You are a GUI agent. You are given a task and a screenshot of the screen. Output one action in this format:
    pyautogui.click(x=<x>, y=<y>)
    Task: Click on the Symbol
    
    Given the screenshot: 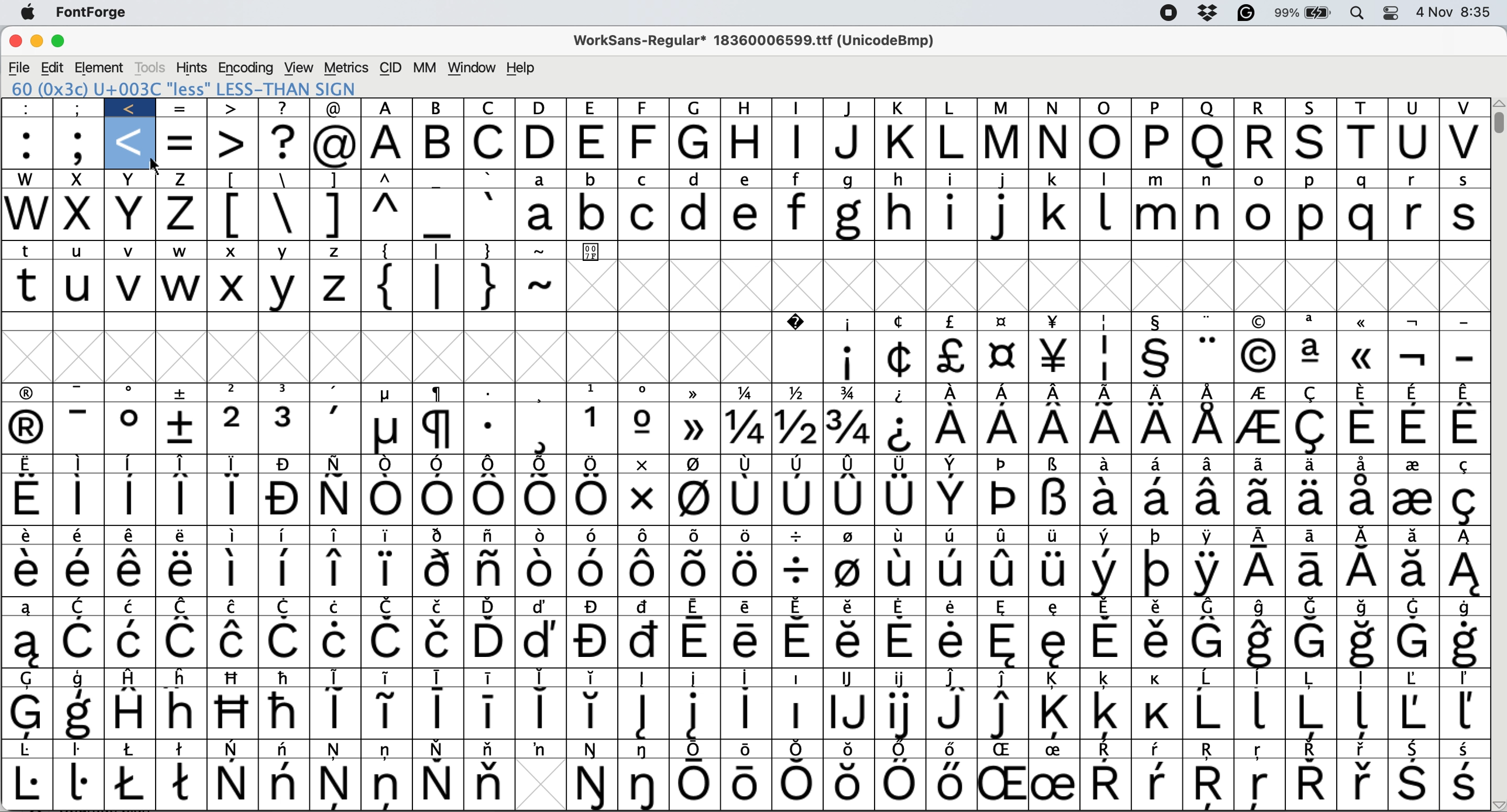 What is the action you would take?
    pyautogui.click(x=848, y=355)
    